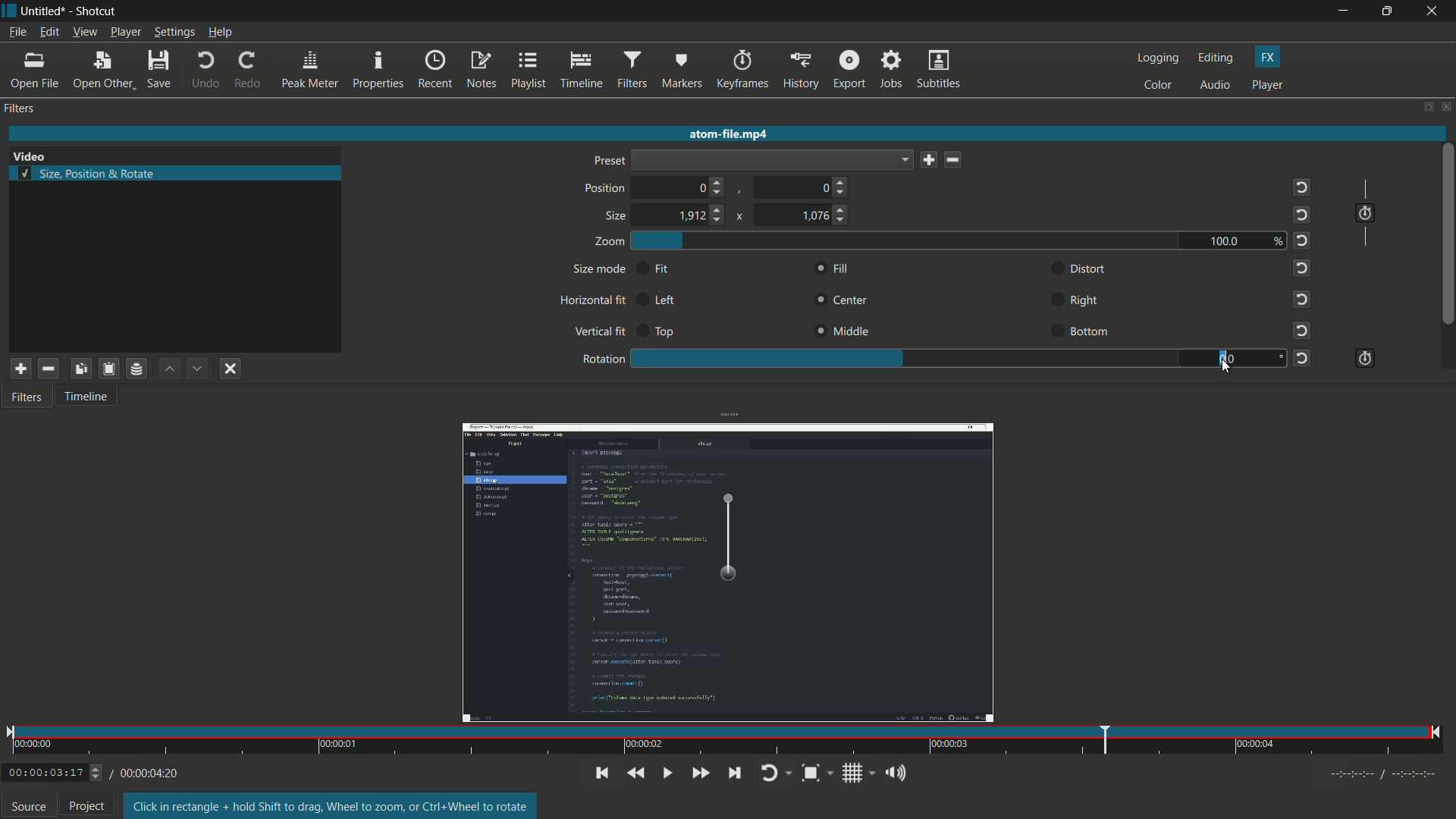 This screenshot has width=1456, height=819. What do you see at coordinates (847, 71) in the screenshot?
I see `export` at bounding box center [847, 71].